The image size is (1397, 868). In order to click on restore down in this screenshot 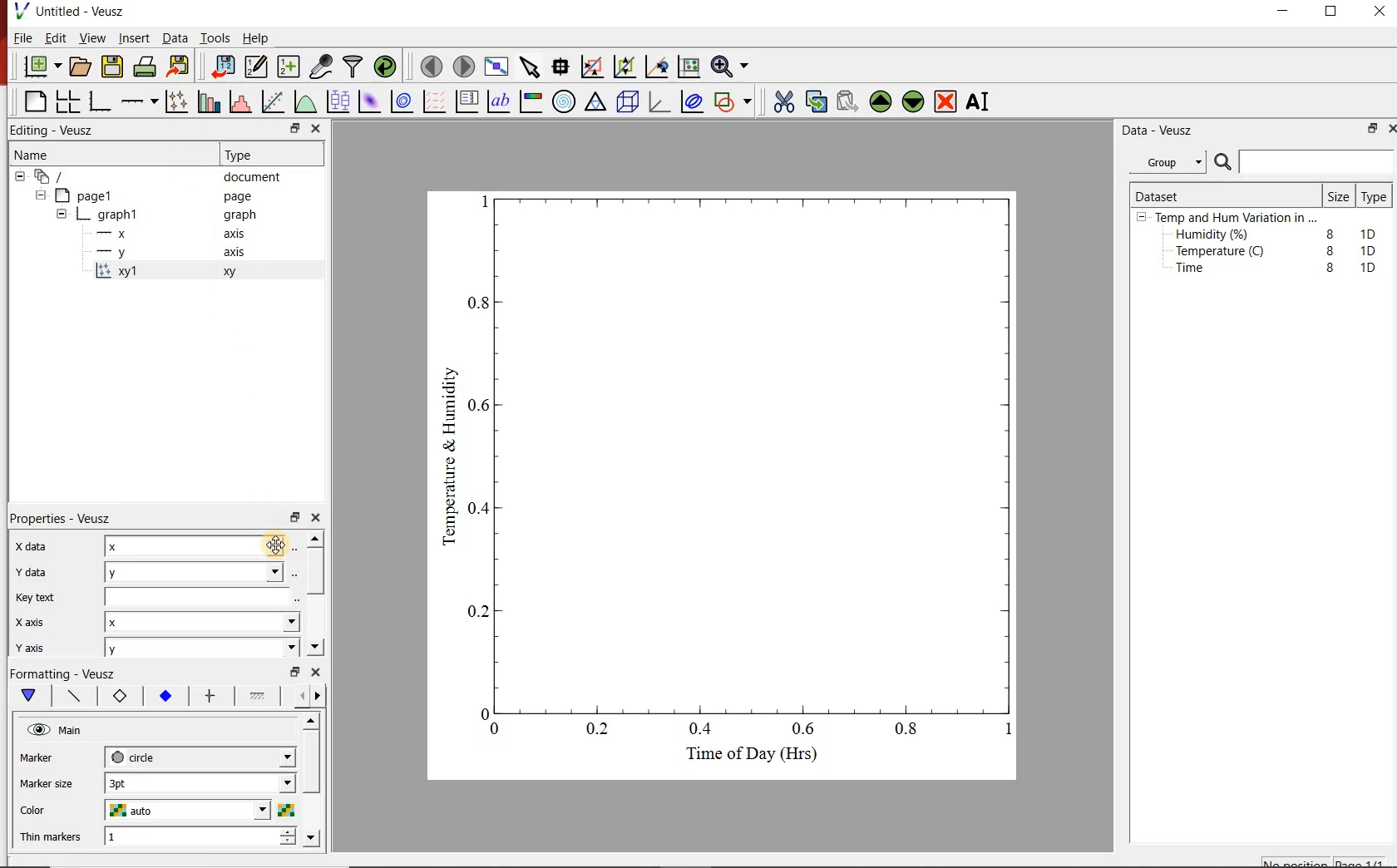, I will do `click(1369, 131)`.